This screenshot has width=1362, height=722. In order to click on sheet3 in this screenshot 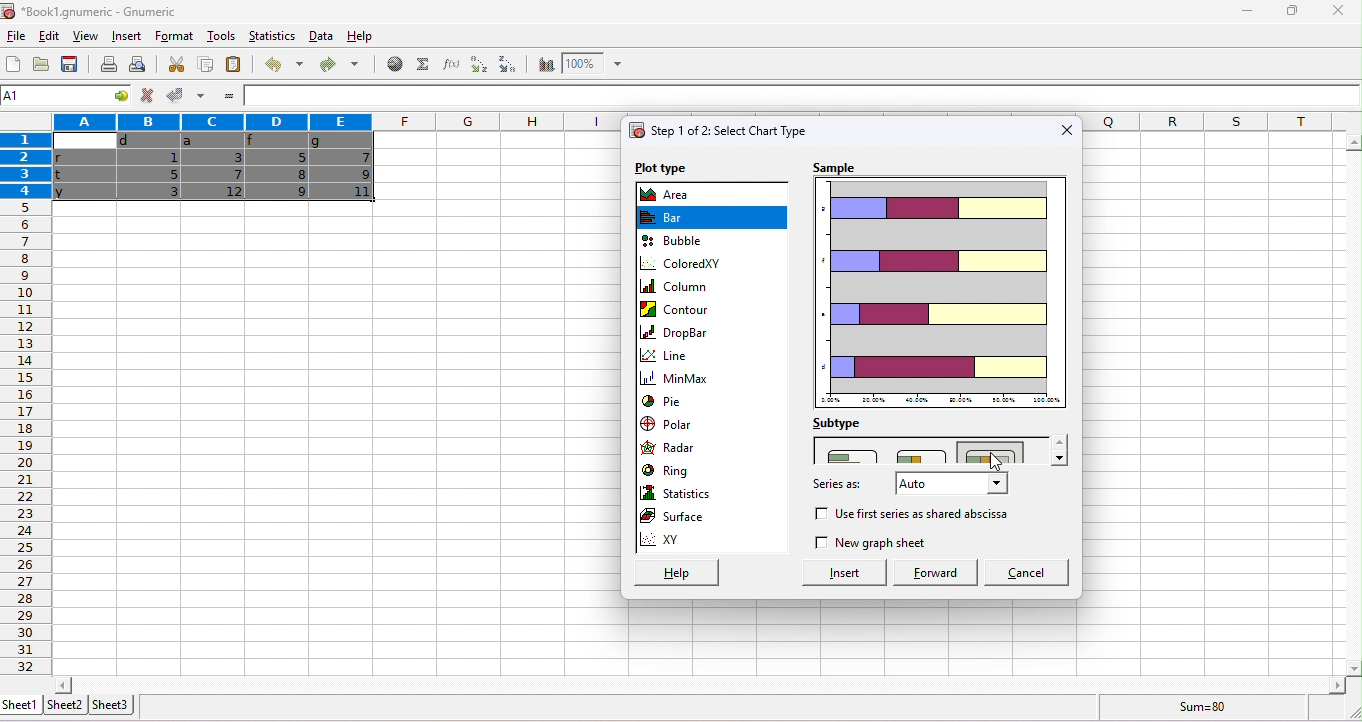, I will do `click(113, 704)`.